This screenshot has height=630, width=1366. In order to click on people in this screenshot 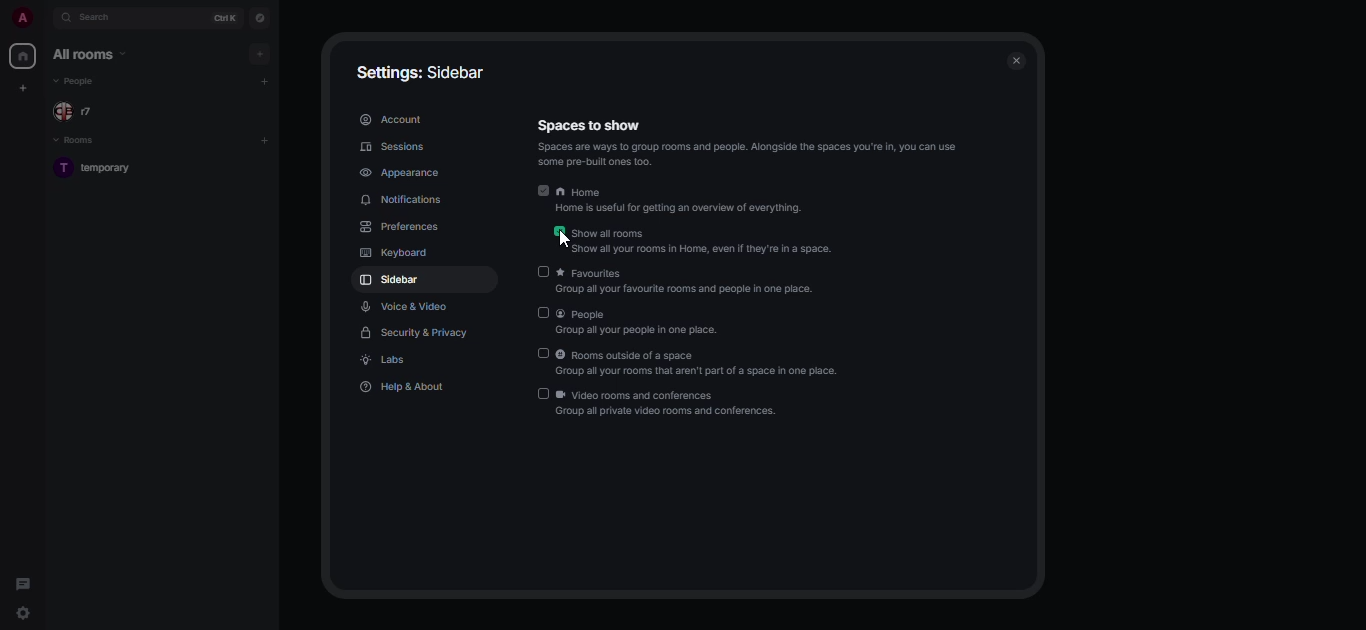, I will do `click(645, 321)`.